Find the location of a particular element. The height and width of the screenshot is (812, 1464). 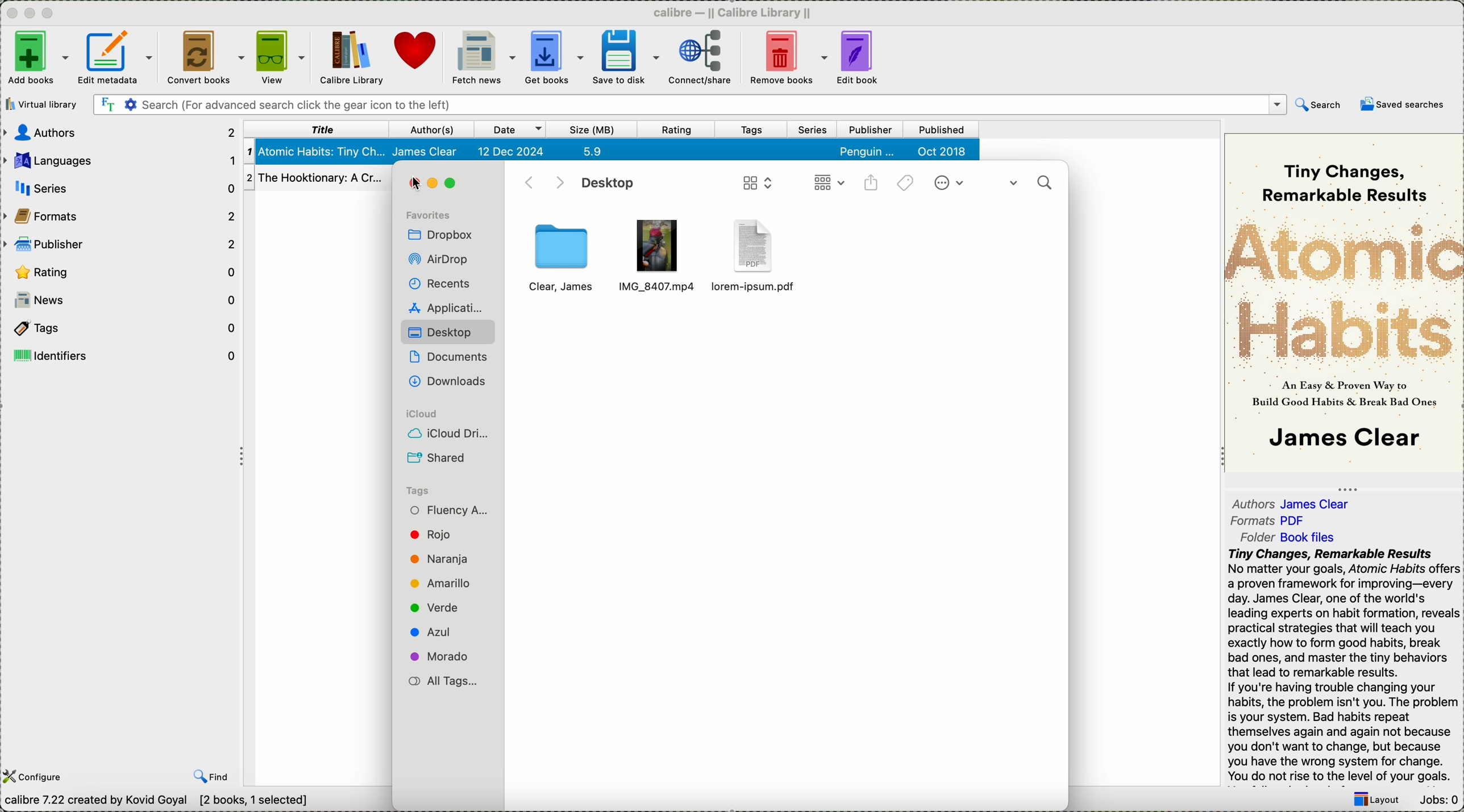

recents is located at coordinates (443, 282).